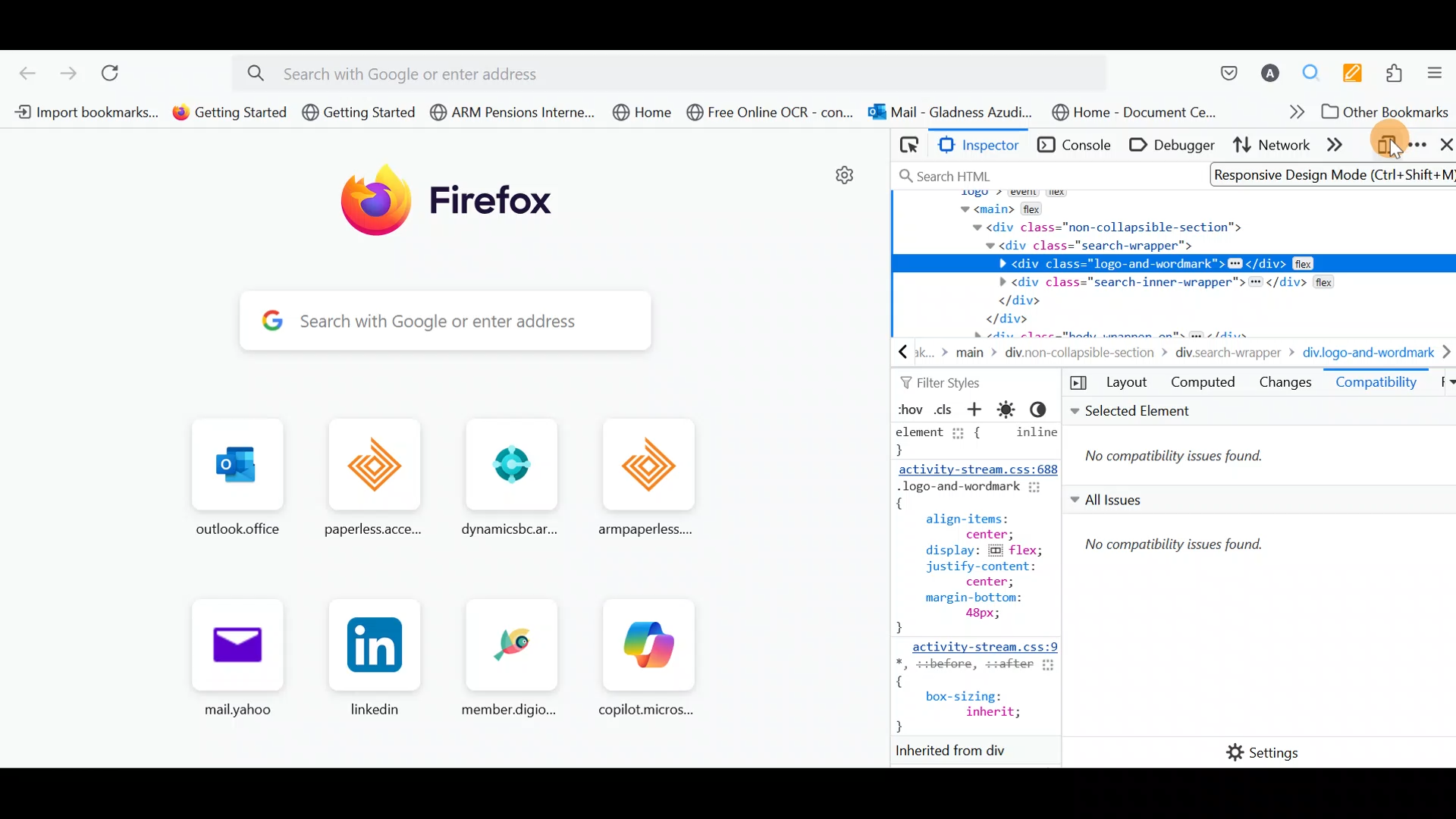 This screenshot has width=1456, height=819. Describe the element at coordinates (680, 71) in the screenshot. I see `Search bar` at that location.